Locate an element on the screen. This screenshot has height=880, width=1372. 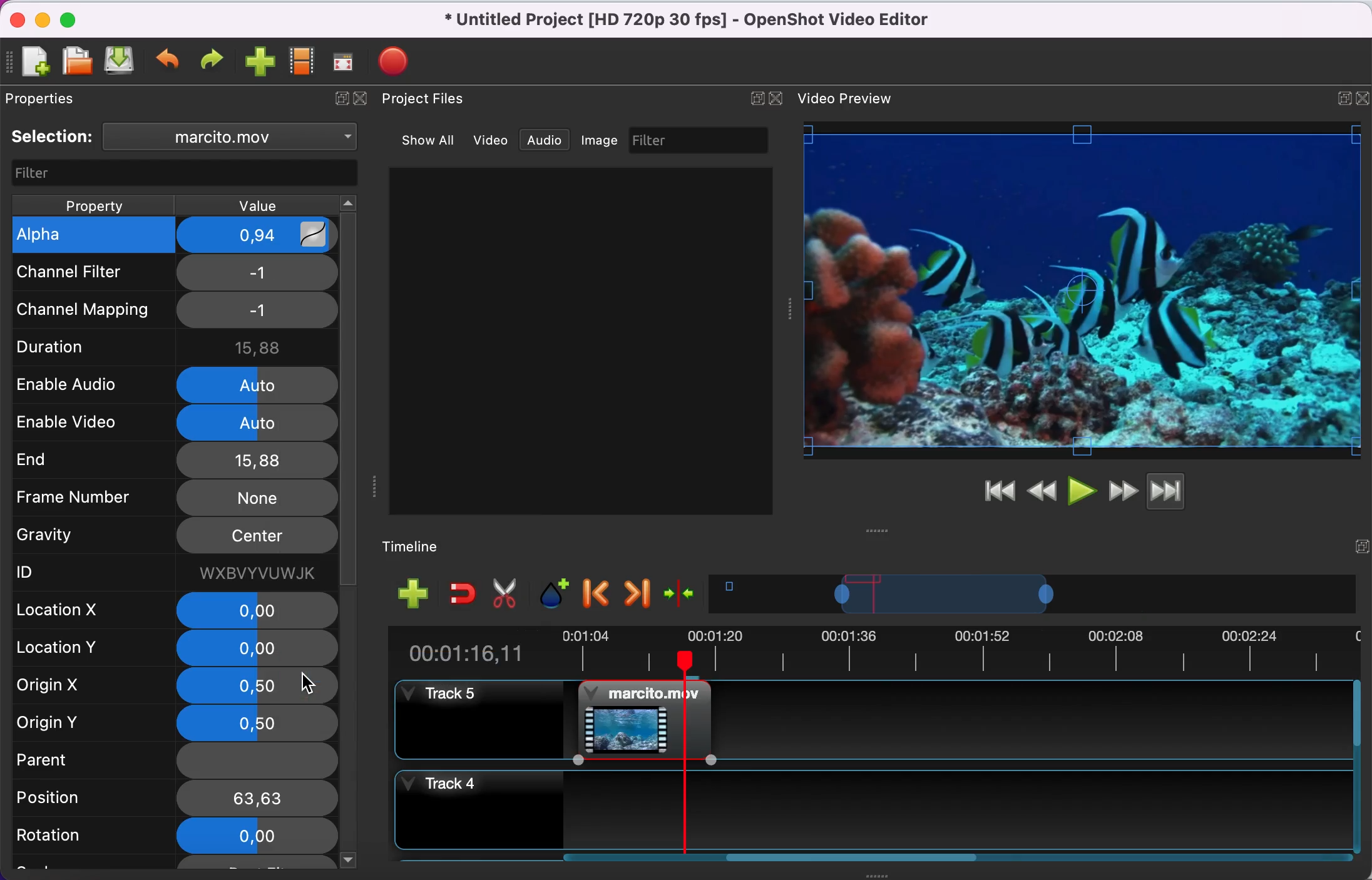
Channel Mapping is located at coordinates (83, 310).